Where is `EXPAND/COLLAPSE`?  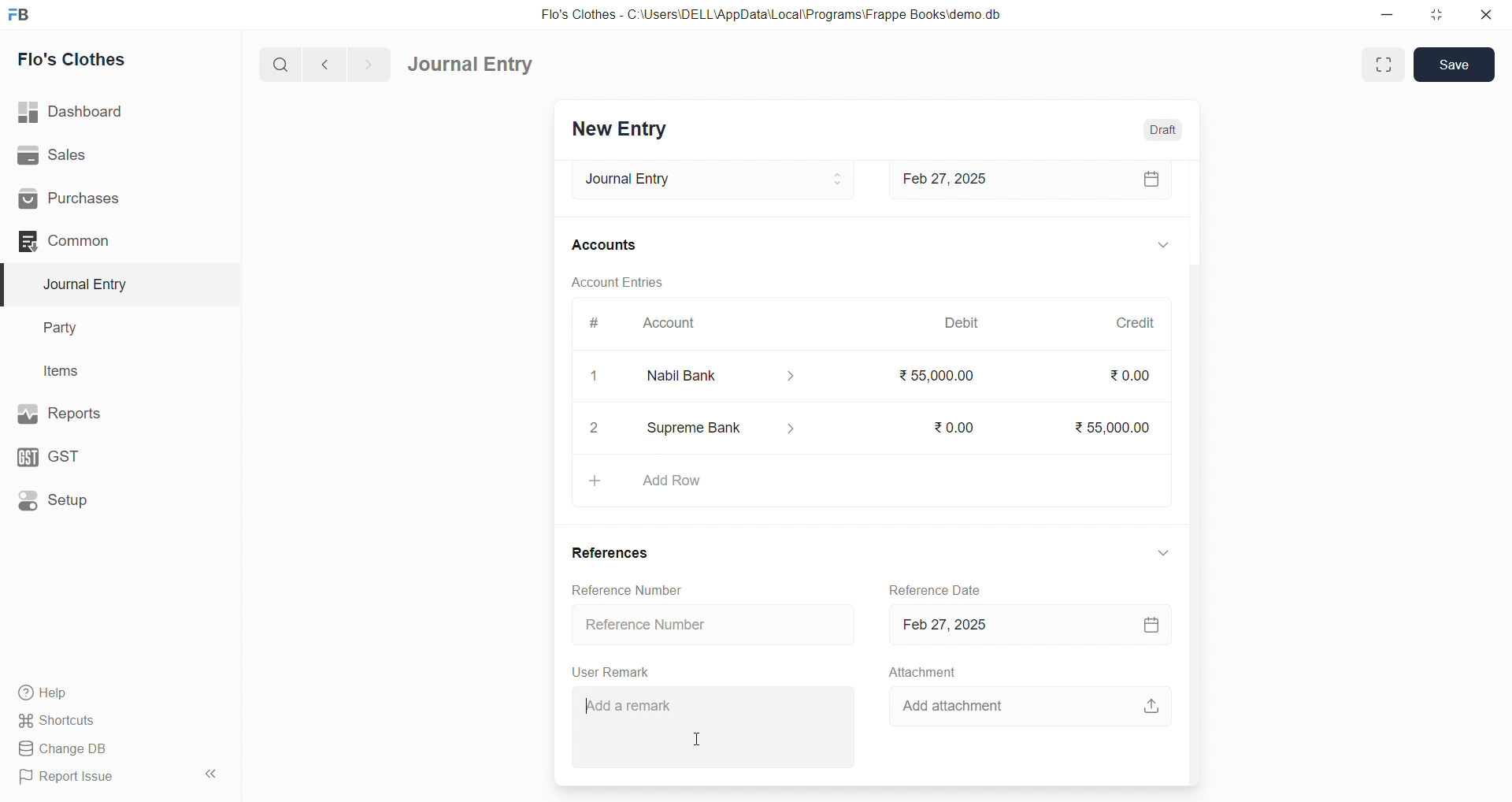
EXPAND/COLLAPSE is located at coordinates (1164, 553).